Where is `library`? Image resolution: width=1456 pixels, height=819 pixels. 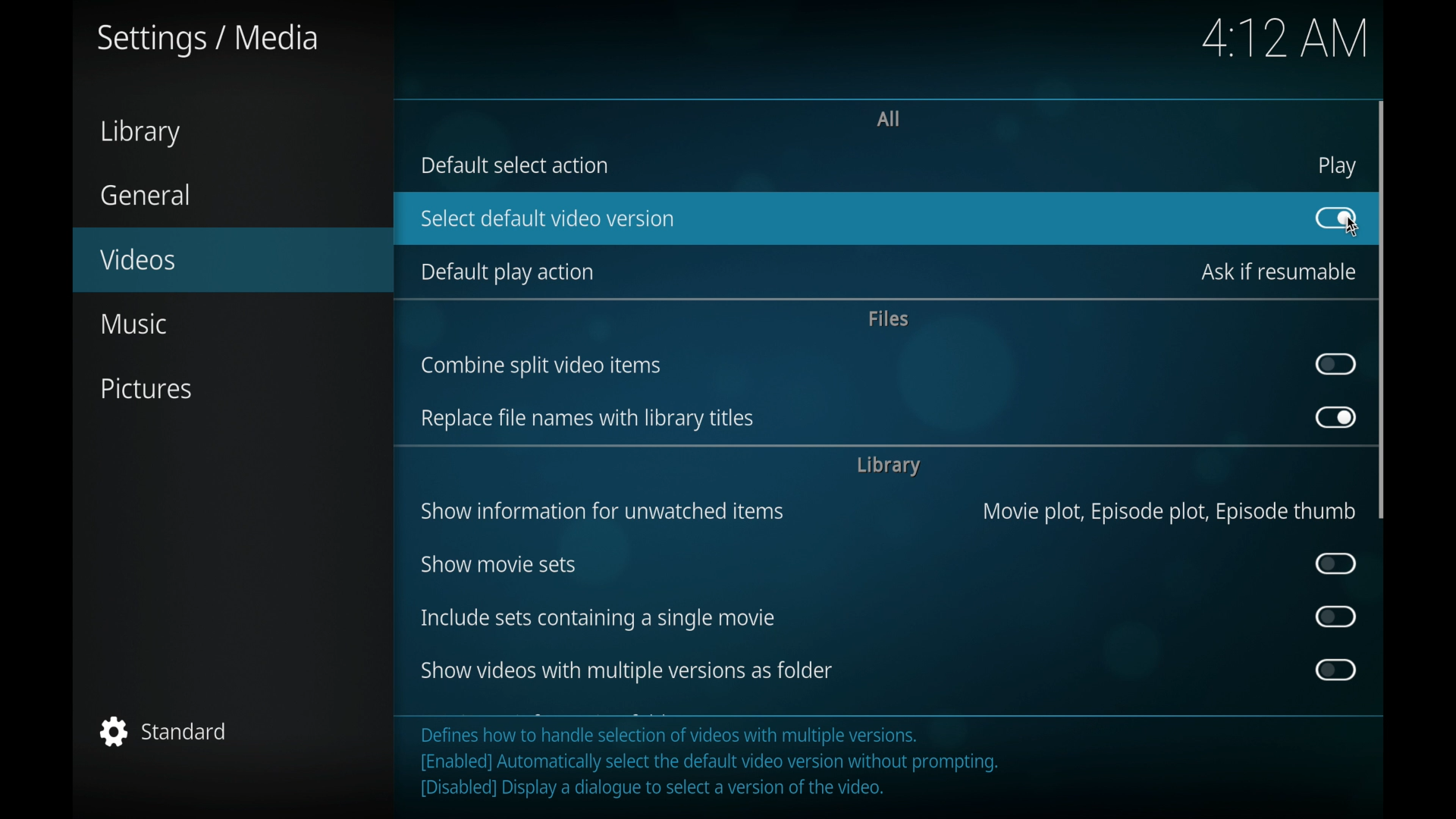
library is located at coordinates (137, 132).